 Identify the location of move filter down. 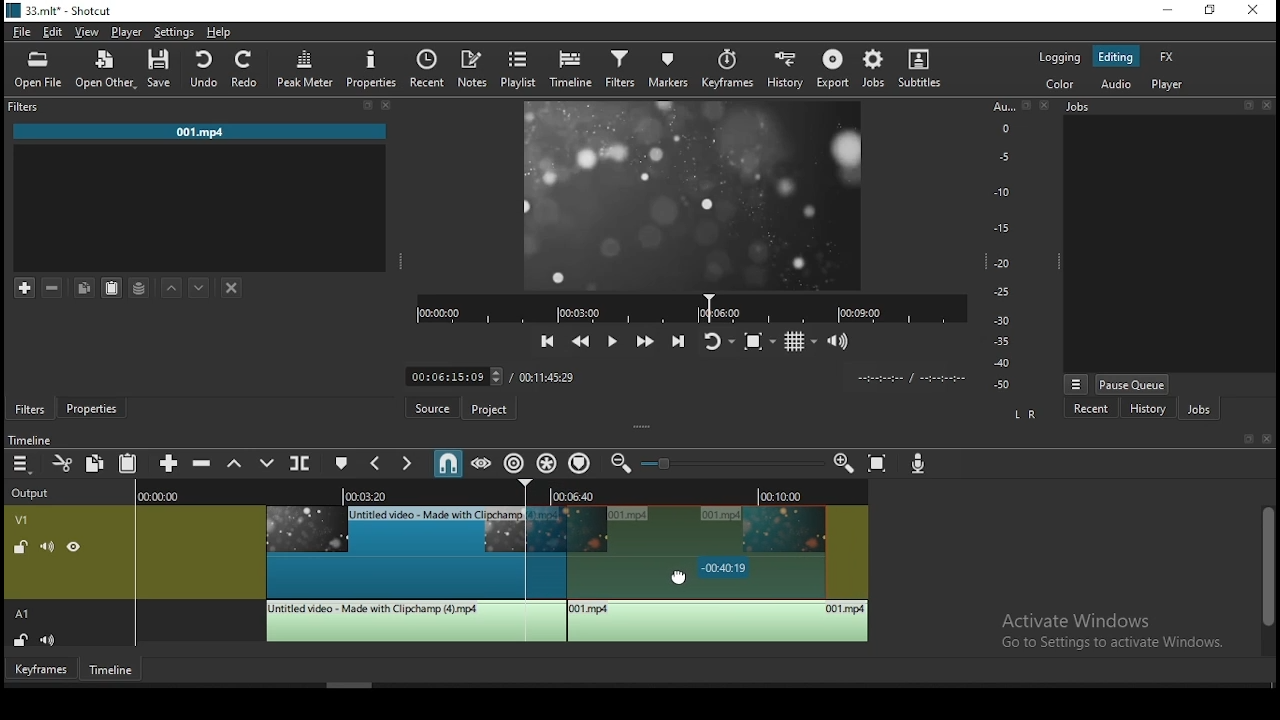
(199, 285).